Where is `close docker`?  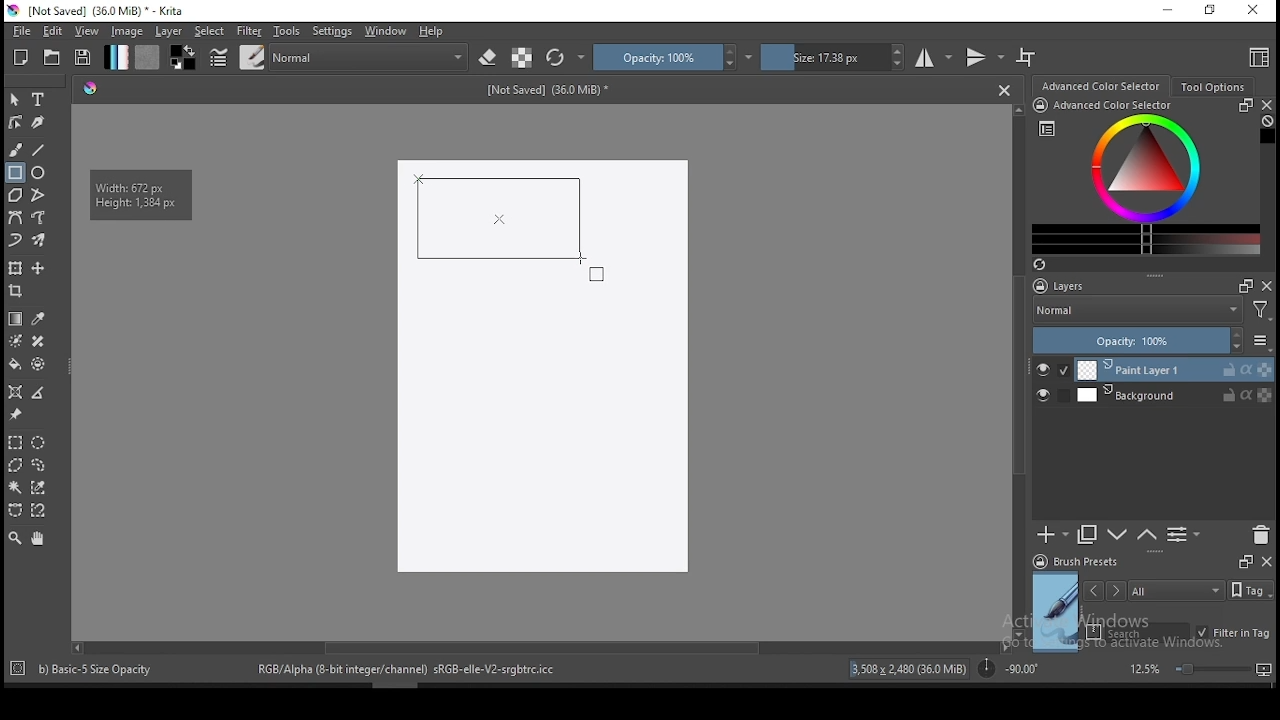 close docker is located at coordinates (1266, 560).